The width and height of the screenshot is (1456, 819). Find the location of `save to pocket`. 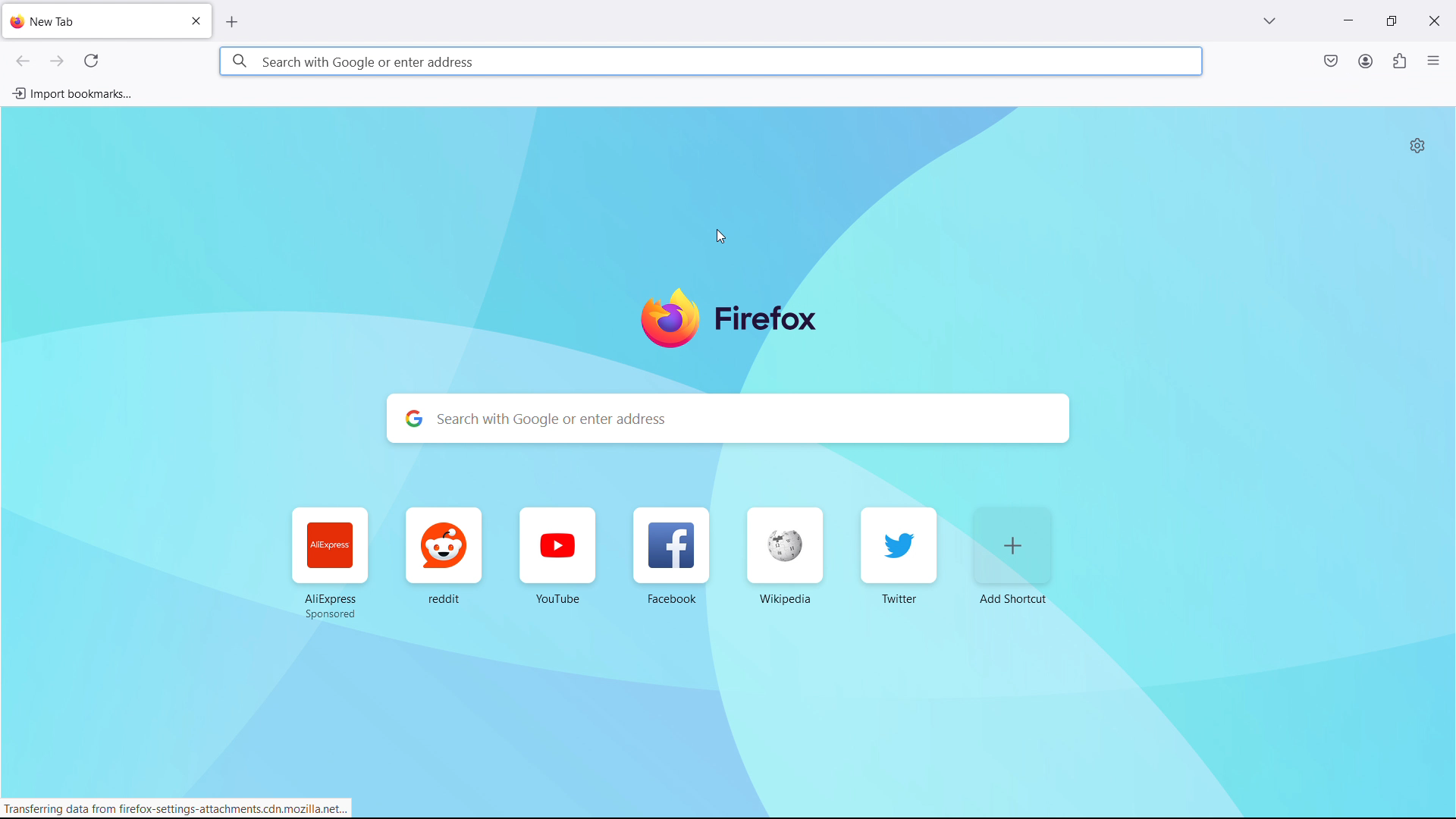

save to pocket is located at coordinates (1331, 60).